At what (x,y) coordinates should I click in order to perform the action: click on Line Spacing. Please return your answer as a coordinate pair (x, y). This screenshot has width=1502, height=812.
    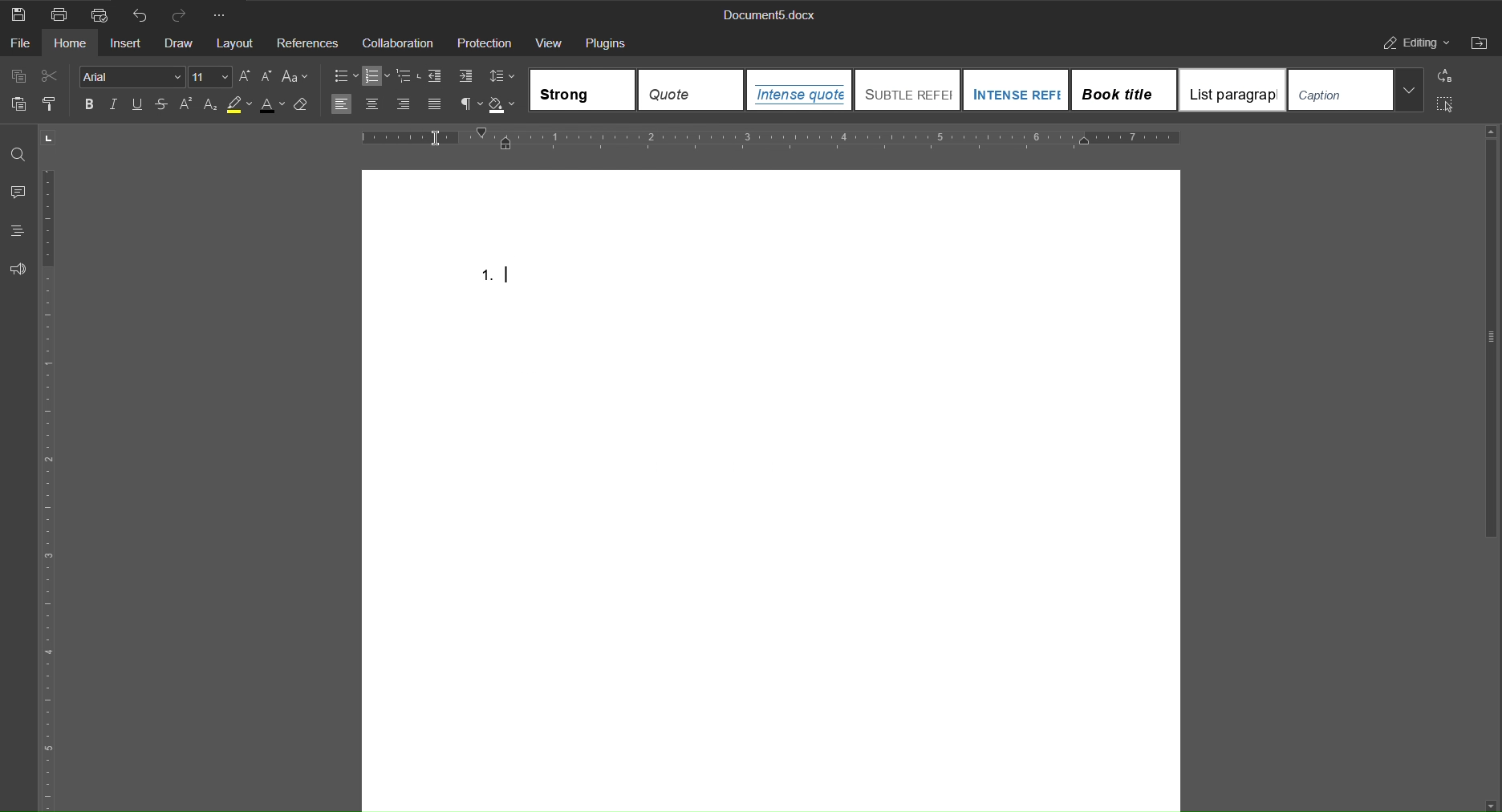
    Looking at the image, I should click on (500, 77).